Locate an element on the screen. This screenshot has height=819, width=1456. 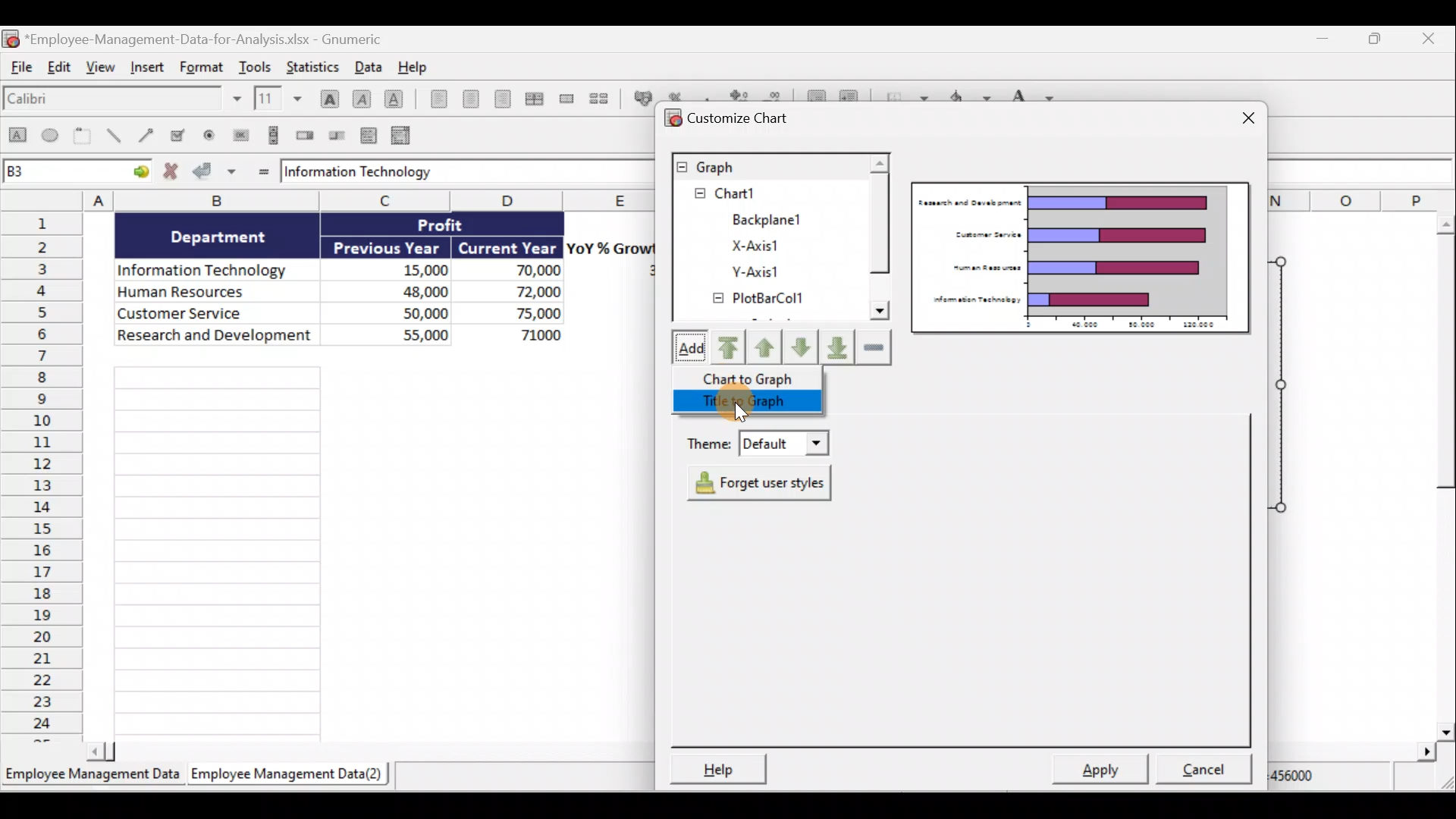
Merge a range of cells is located at coordinates (570, 99).